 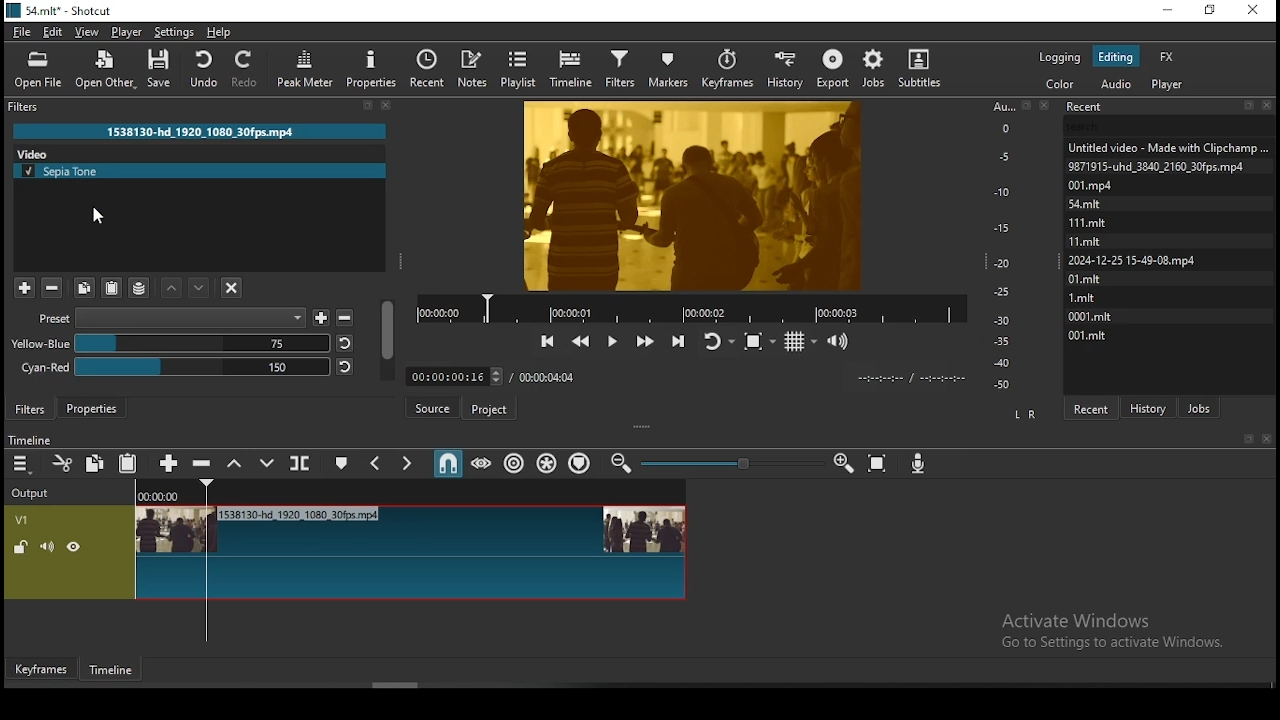 I want to click on properties, so click(x=372, y=69).